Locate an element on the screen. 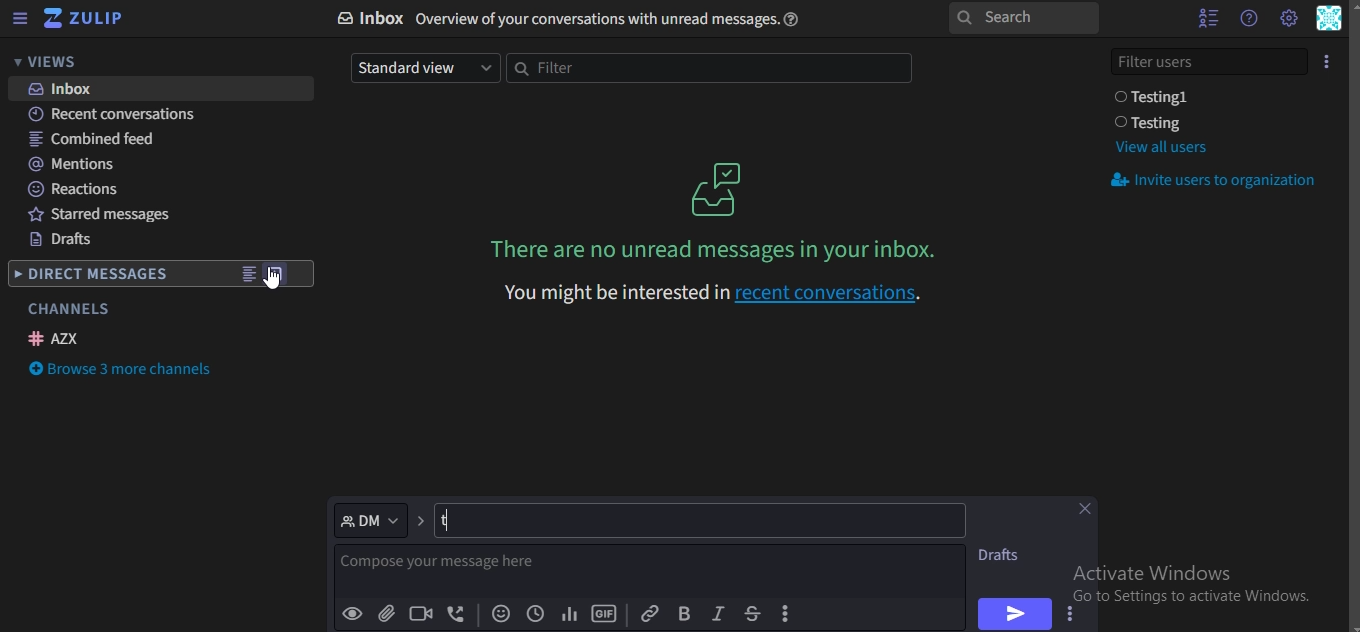 This screenshot has width=1360, height=632.  is located at coordinates (1074, 613).